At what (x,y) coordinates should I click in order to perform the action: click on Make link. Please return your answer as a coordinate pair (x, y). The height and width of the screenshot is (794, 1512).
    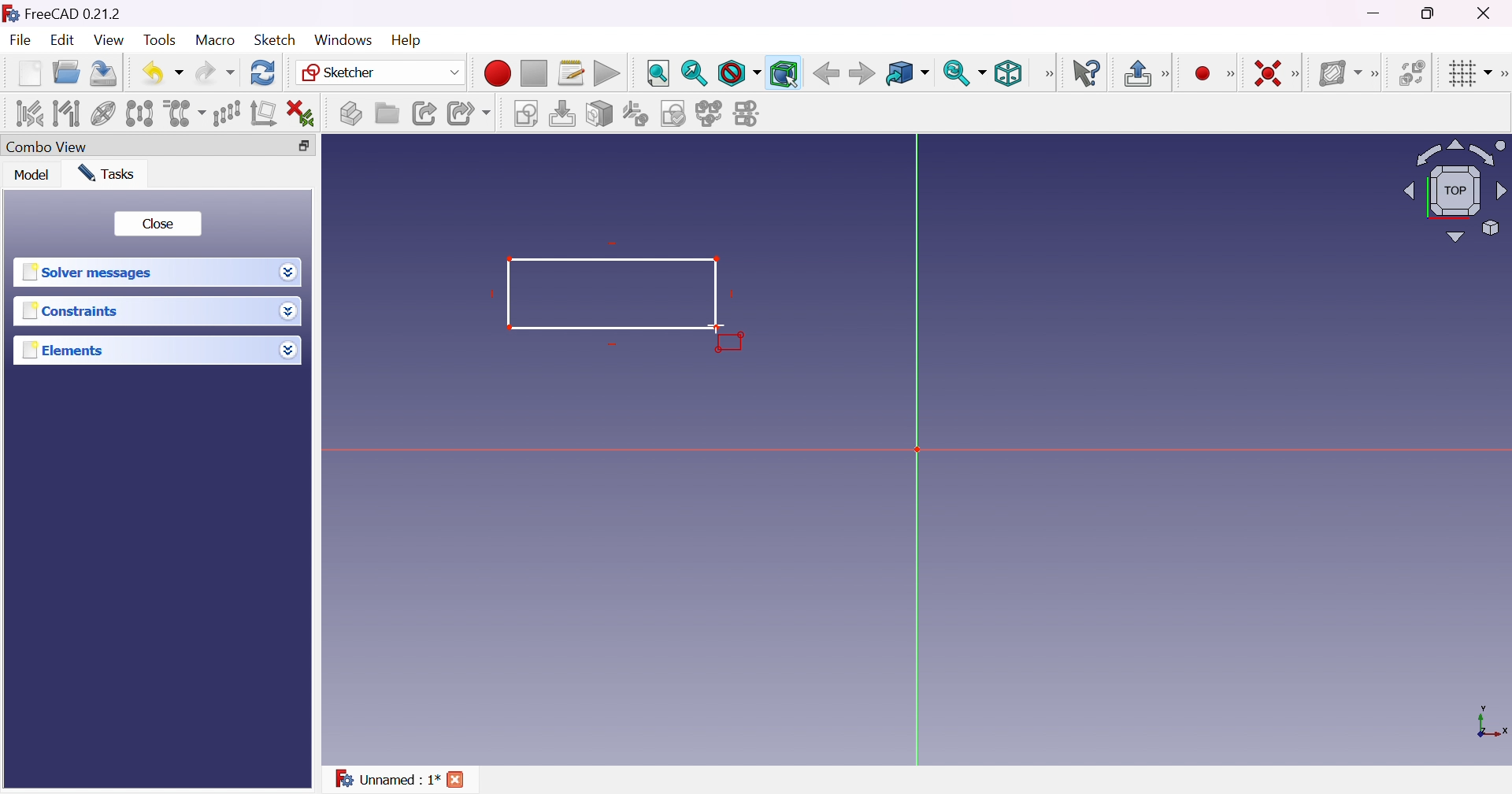
    Looking at the image, I should click on (427, 114).